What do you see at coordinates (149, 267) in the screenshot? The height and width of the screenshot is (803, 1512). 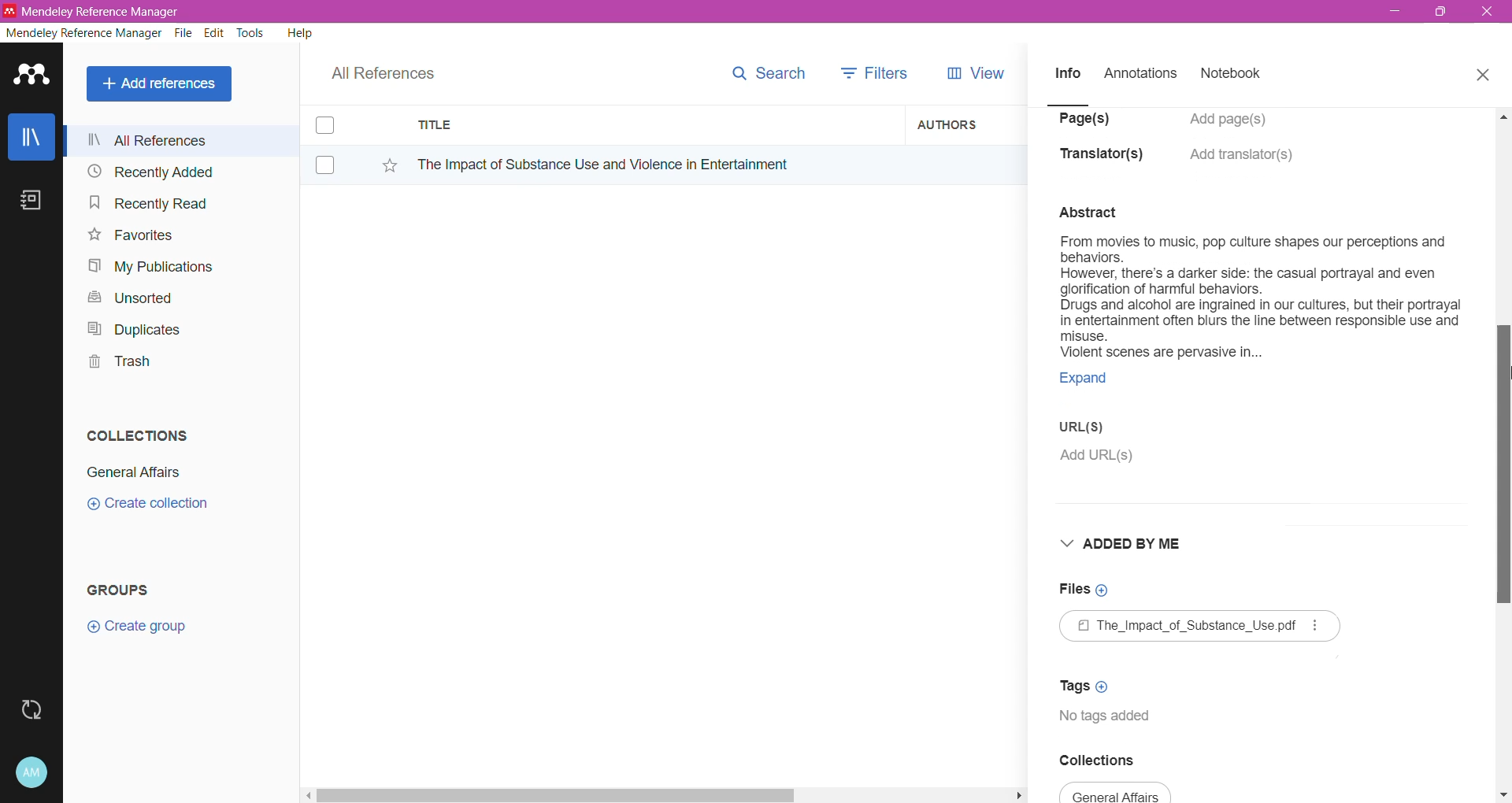 I see `My Publications` at bounding box center [149, 267].